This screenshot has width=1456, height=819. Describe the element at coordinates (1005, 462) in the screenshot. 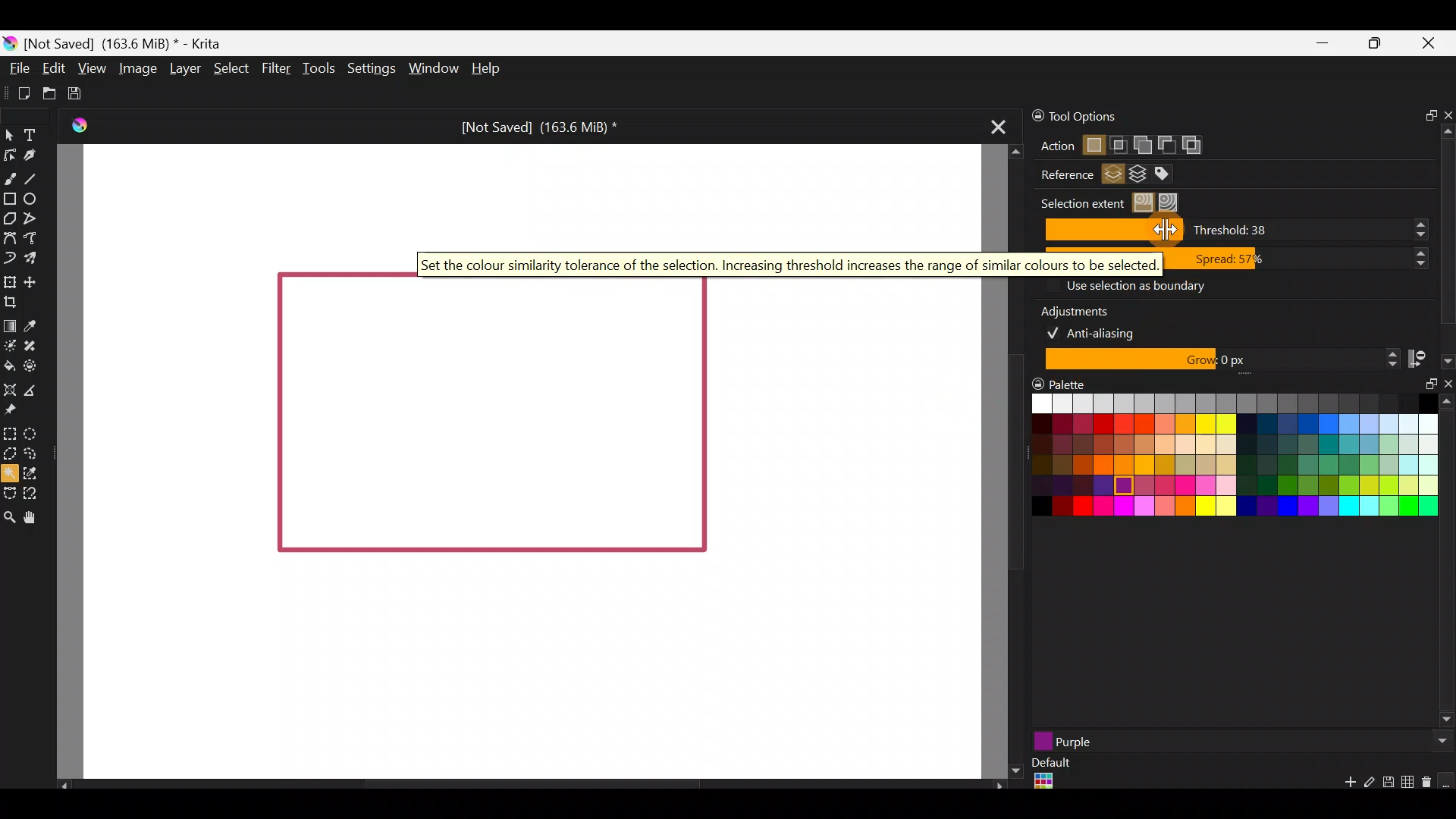

I see `Scroll bar` at that location.